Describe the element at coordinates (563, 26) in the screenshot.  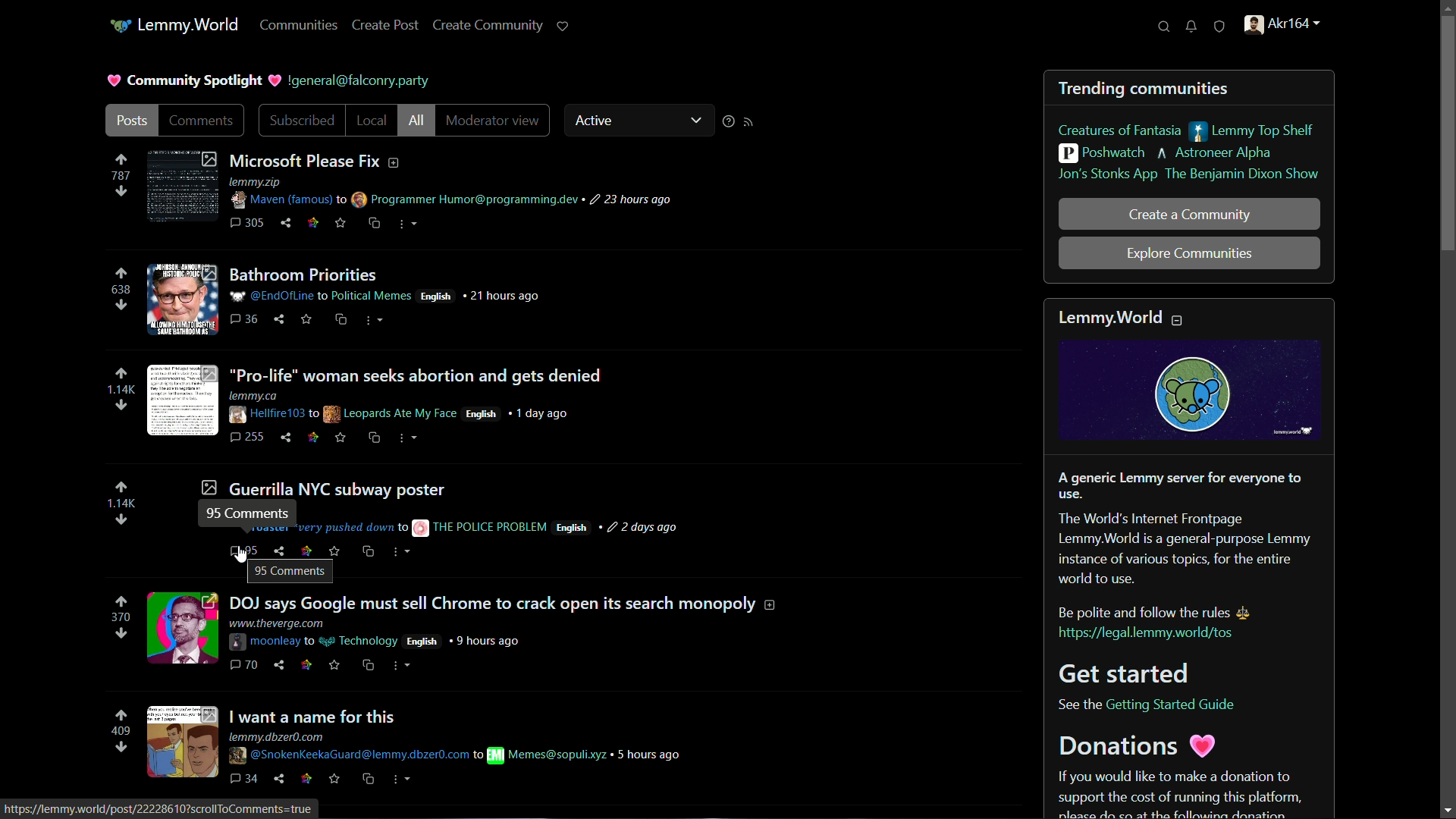
I see `support lemmy.world` at that location.